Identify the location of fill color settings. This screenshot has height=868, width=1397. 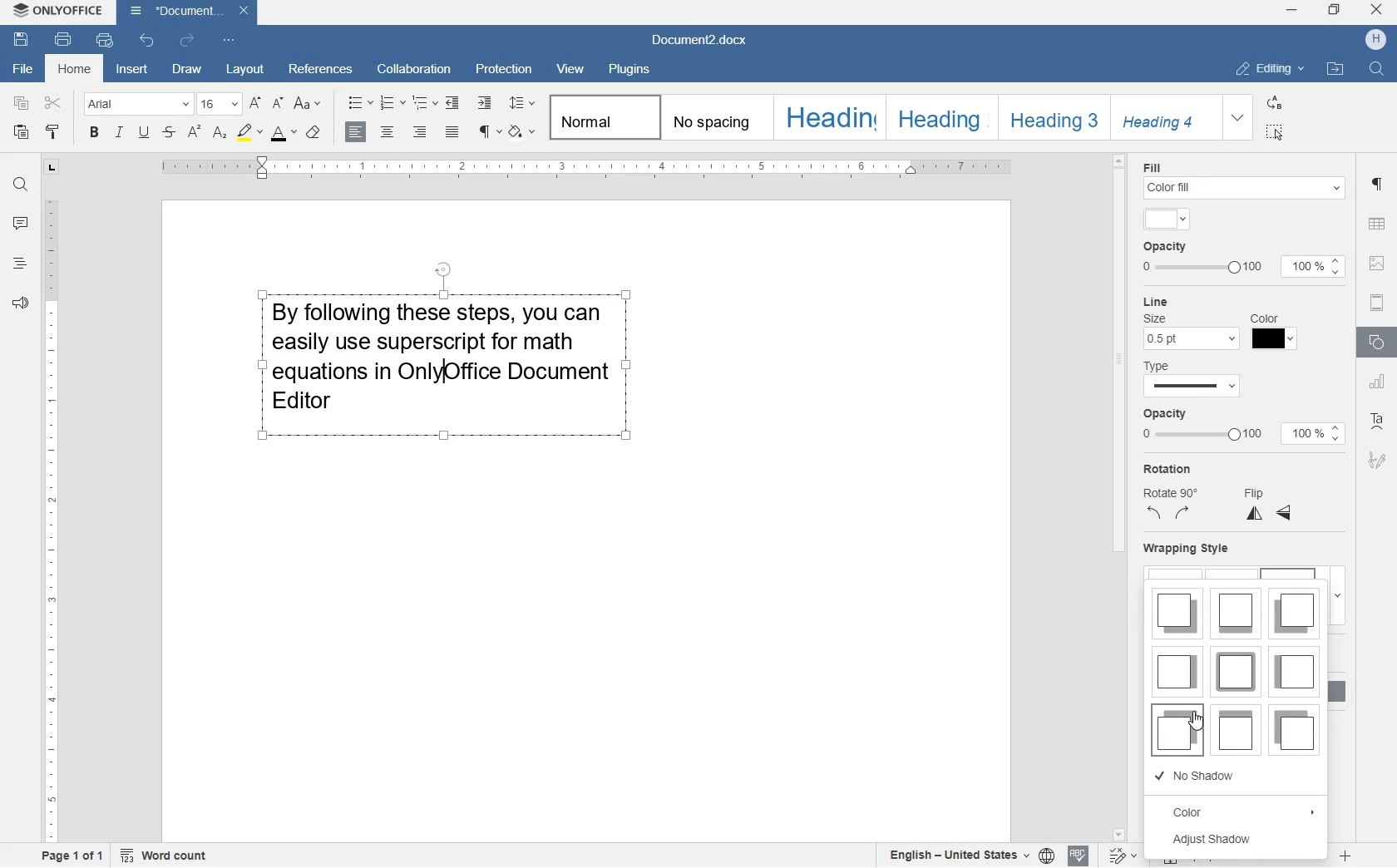
(1242, 179).